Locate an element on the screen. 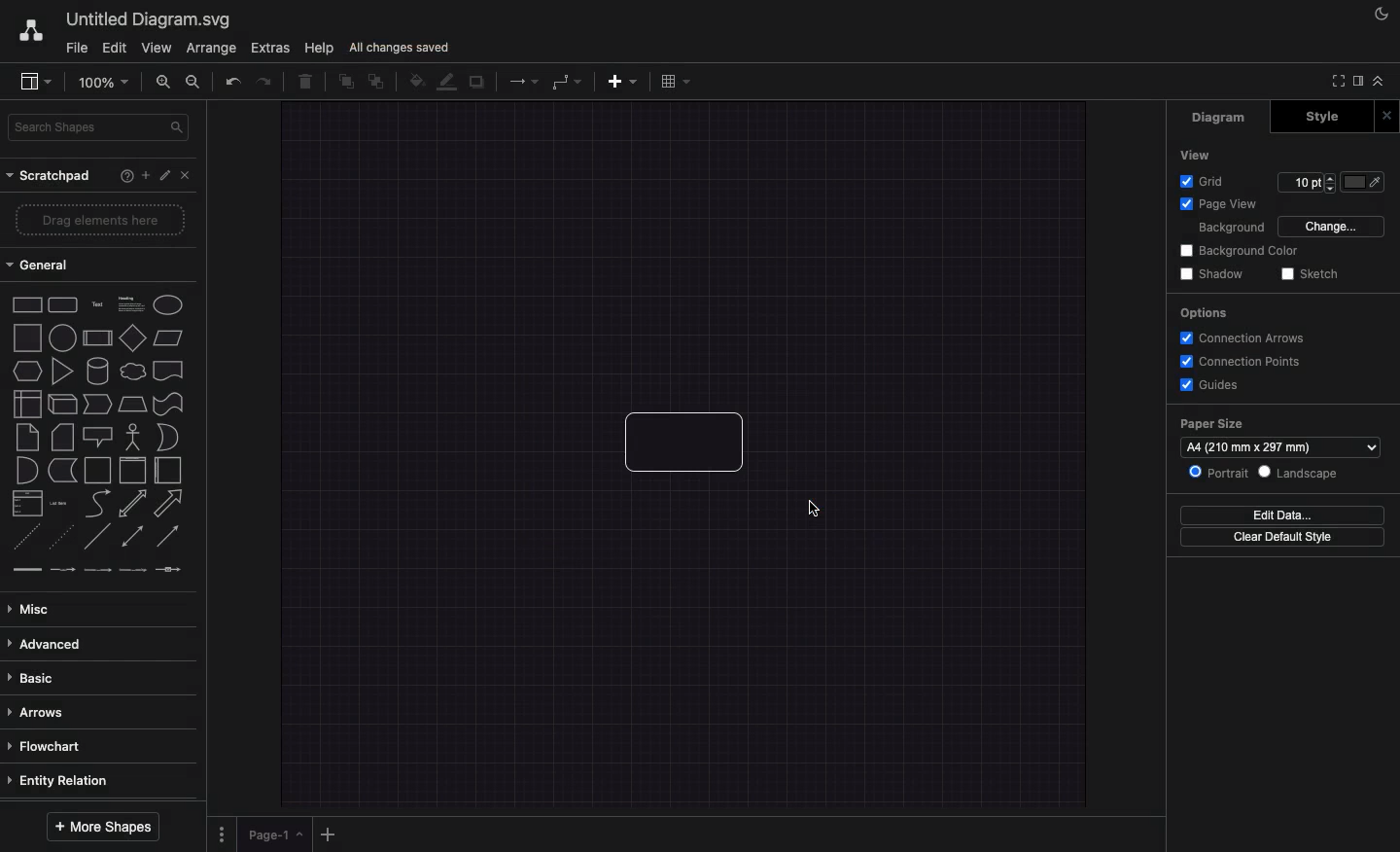 Image resolution: width=1400 pixels, height=852 pixels. Style is located at coordinates (1334, 117).